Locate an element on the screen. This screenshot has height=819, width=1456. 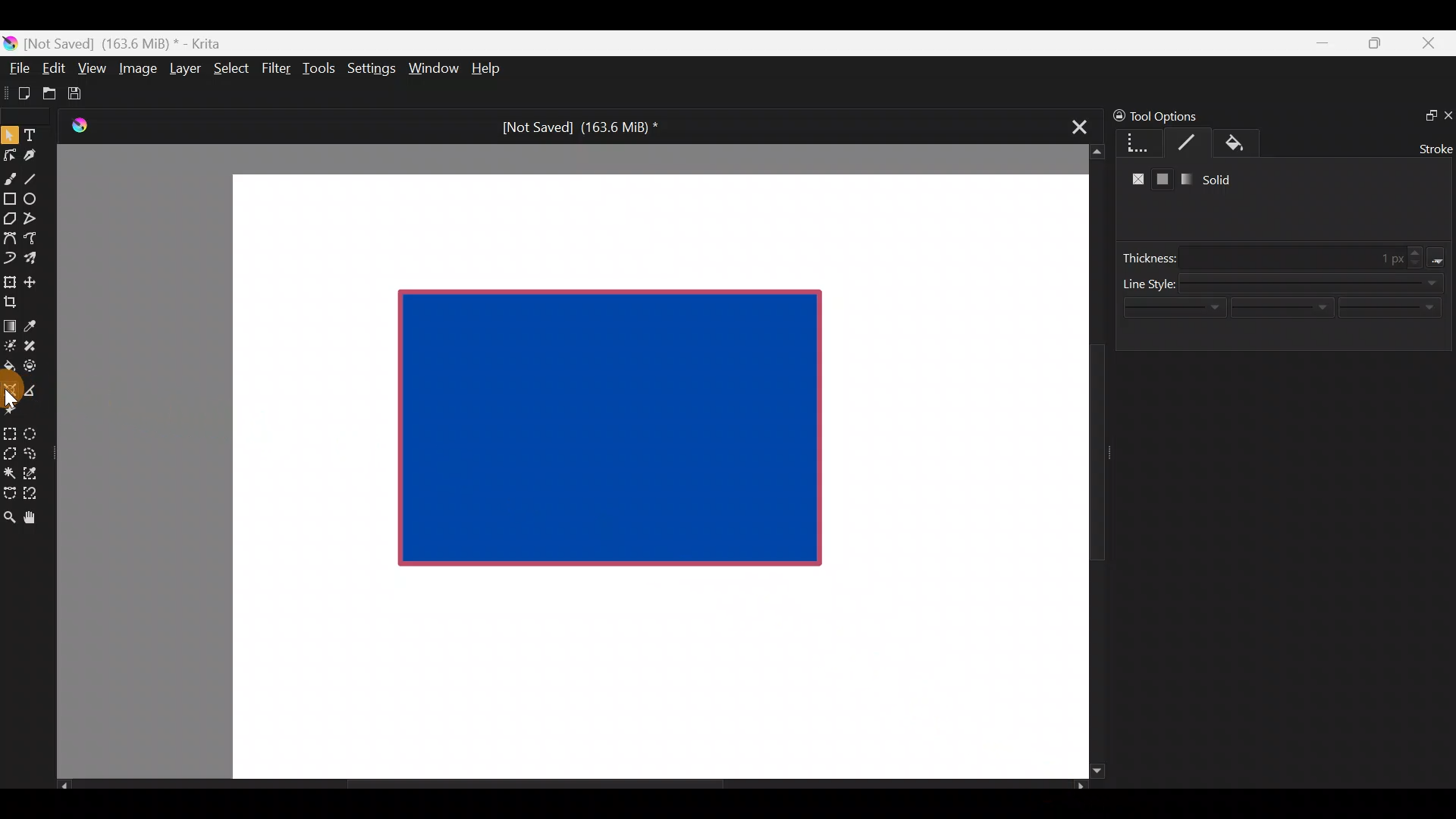
Sample a colour from the image/current layer is located at coordinates (36, 324).